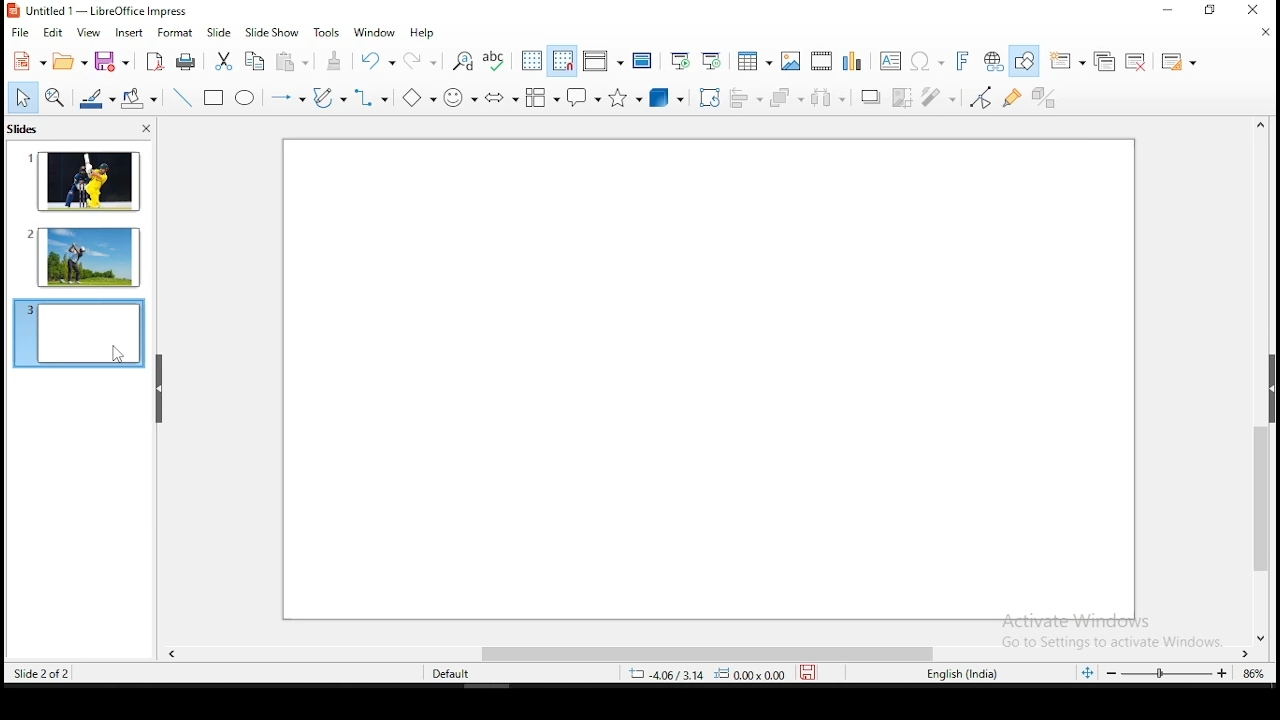 This screenshot has width=1280, height=720. What do you see at coordinates (827, 97) in the screenshot?
I see `distribute` at bounding box center [827, 97].